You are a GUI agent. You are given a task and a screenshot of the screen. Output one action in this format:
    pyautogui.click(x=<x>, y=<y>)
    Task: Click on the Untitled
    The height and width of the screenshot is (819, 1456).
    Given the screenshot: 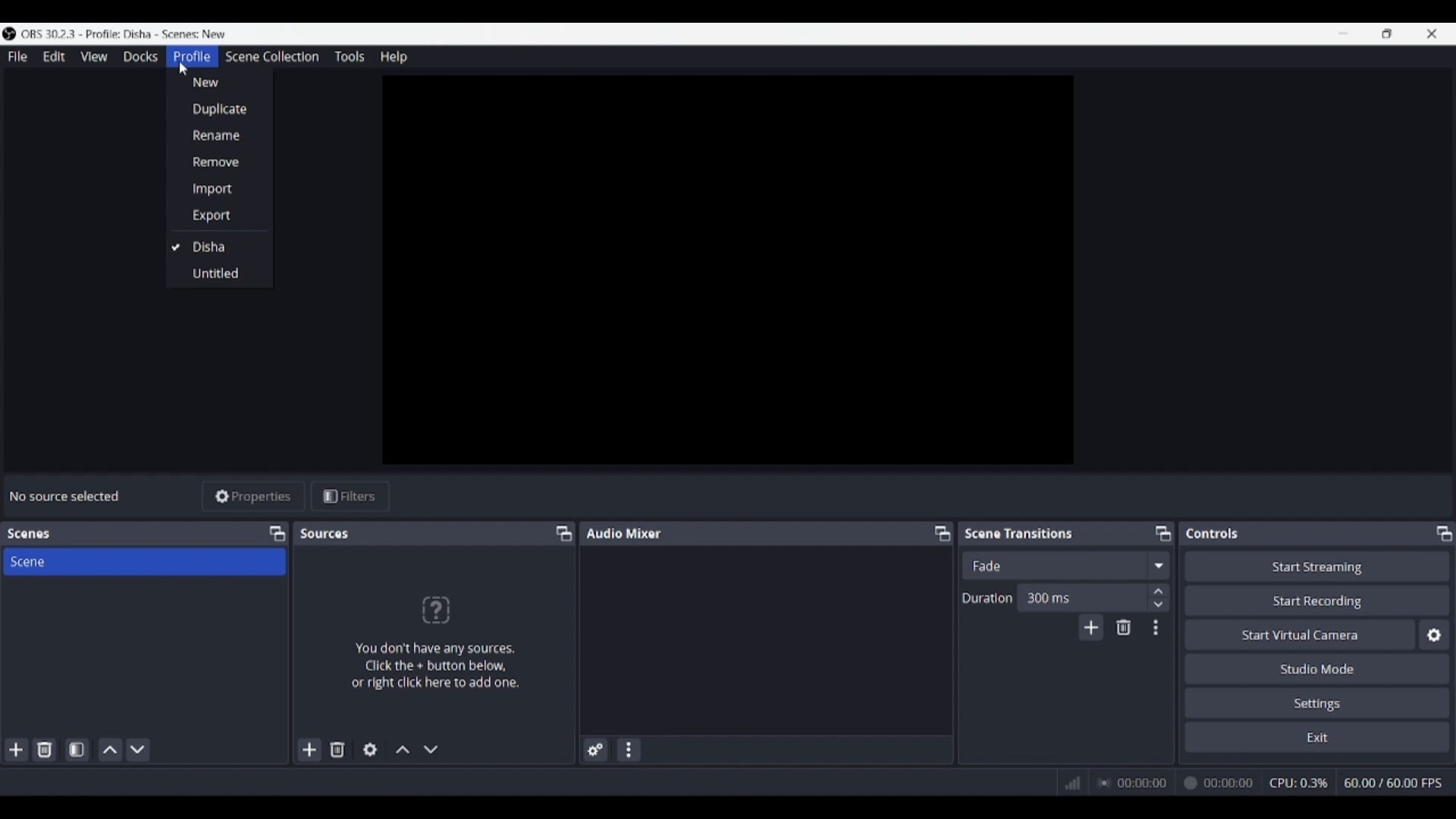 What is the action you would take?
    pyautogui.click(x=215, y=275)
    